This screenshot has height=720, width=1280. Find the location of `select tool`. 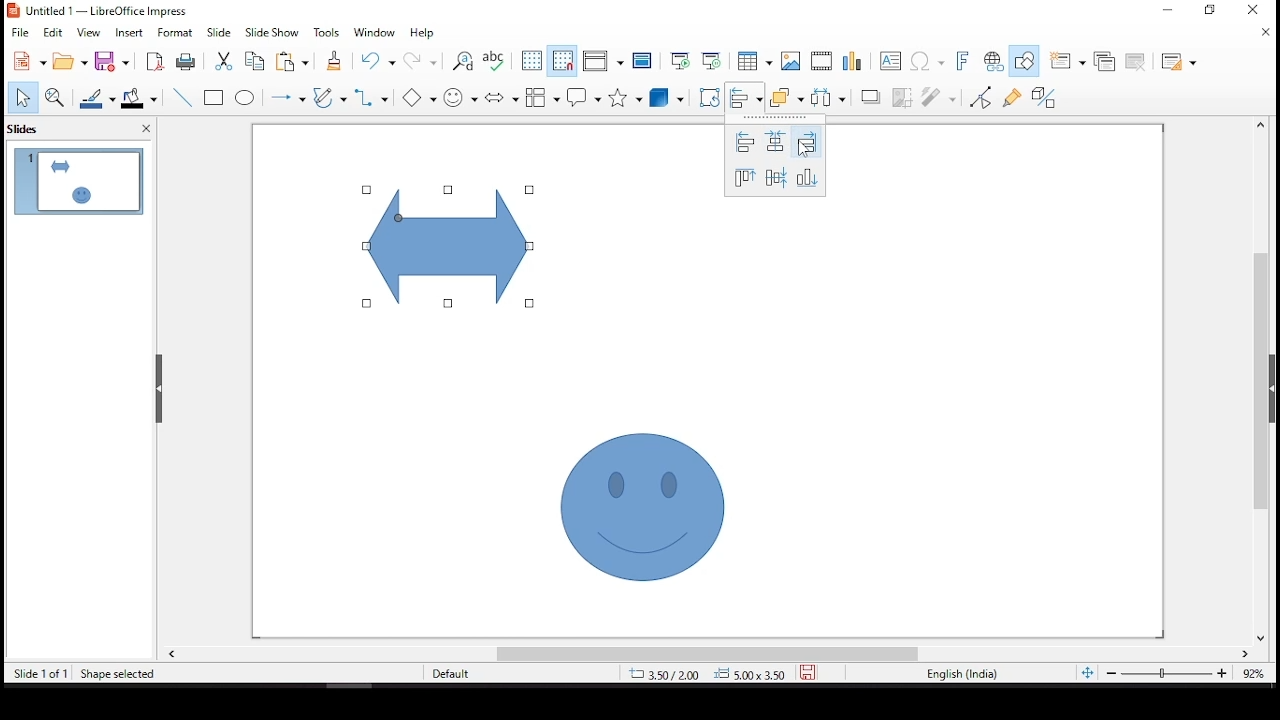

select tool is located at coordinates (23, 96).